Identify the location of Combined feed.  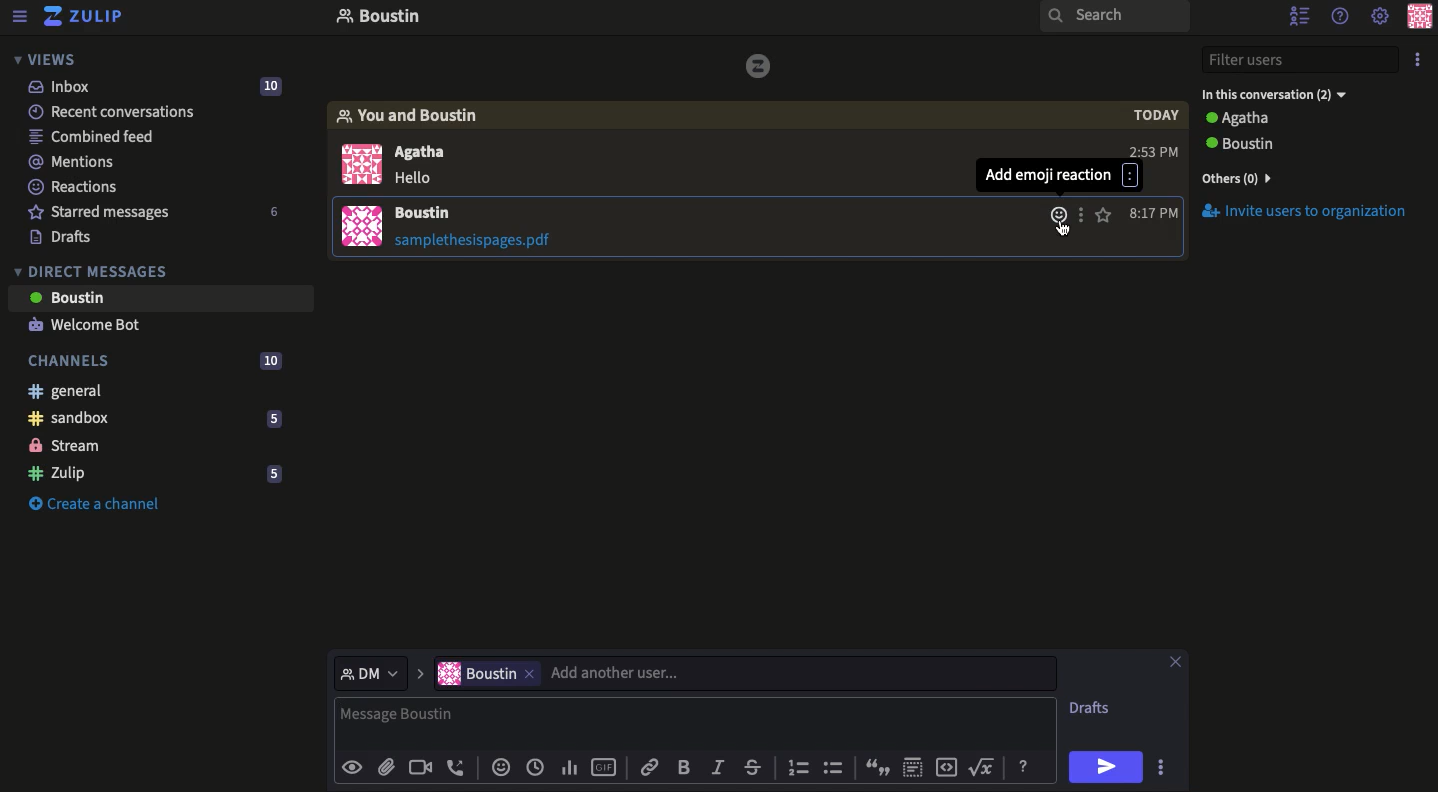
(95, 139).